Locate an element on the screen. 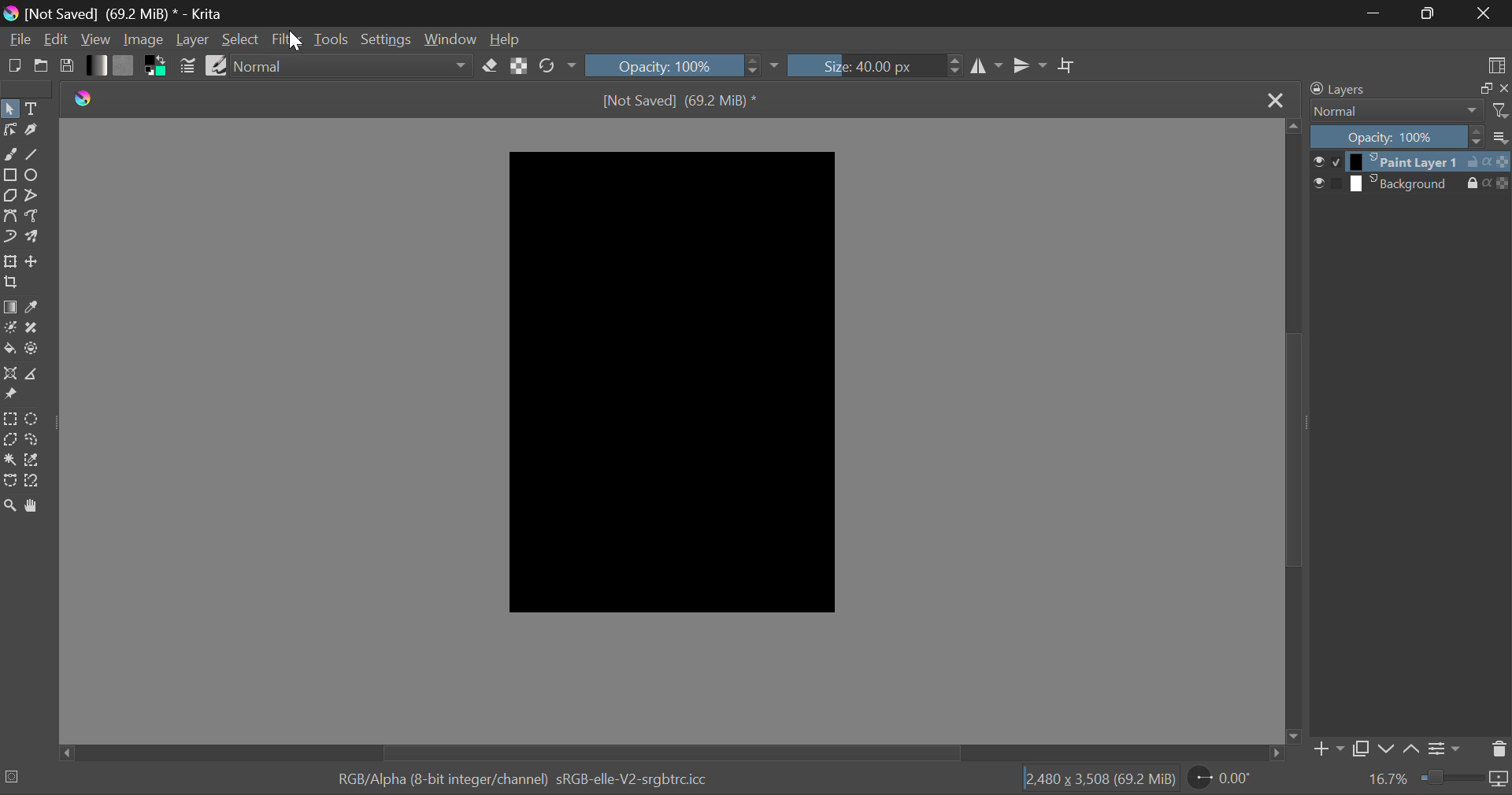 Image resolution: width=1512 pixels, height=795 pixels. Ellipses is located at coordinates (32, 176).